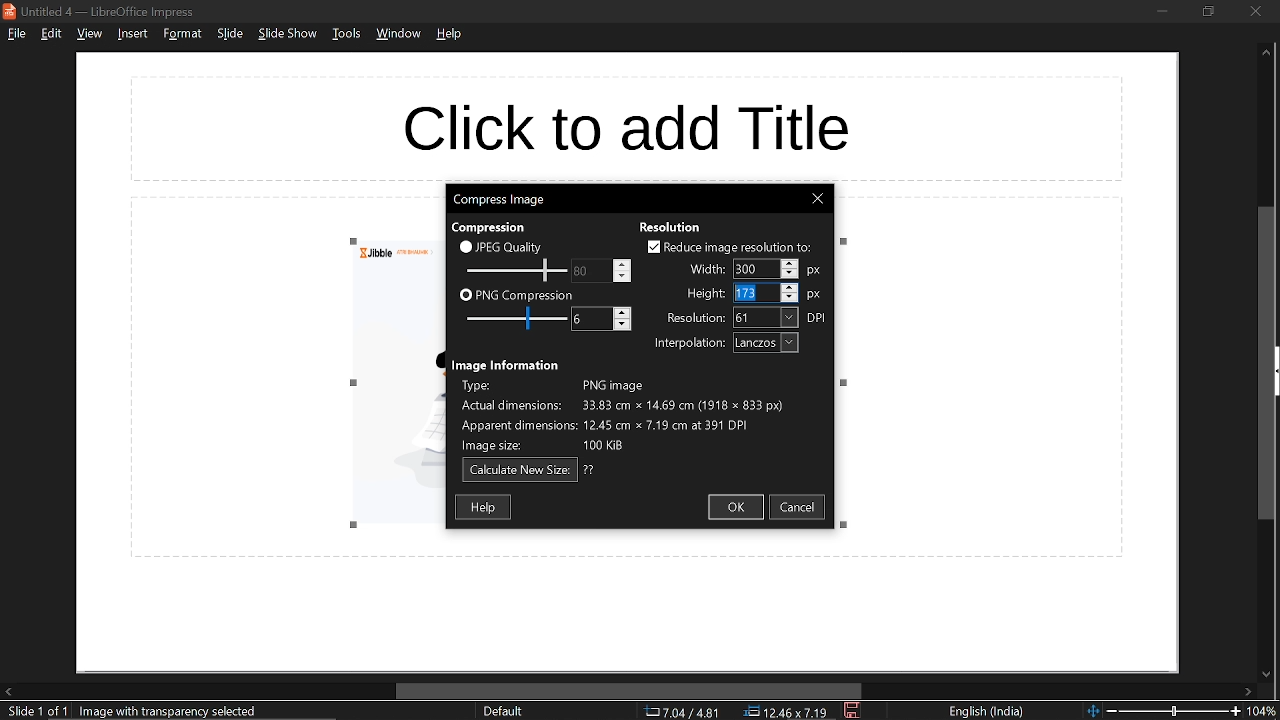 This screenshot has width=1280, height=720. What do you see at coordinates (625, 690) in the screenshot?
I see `horizontal scrollbar` at bounding box center [625, 690].